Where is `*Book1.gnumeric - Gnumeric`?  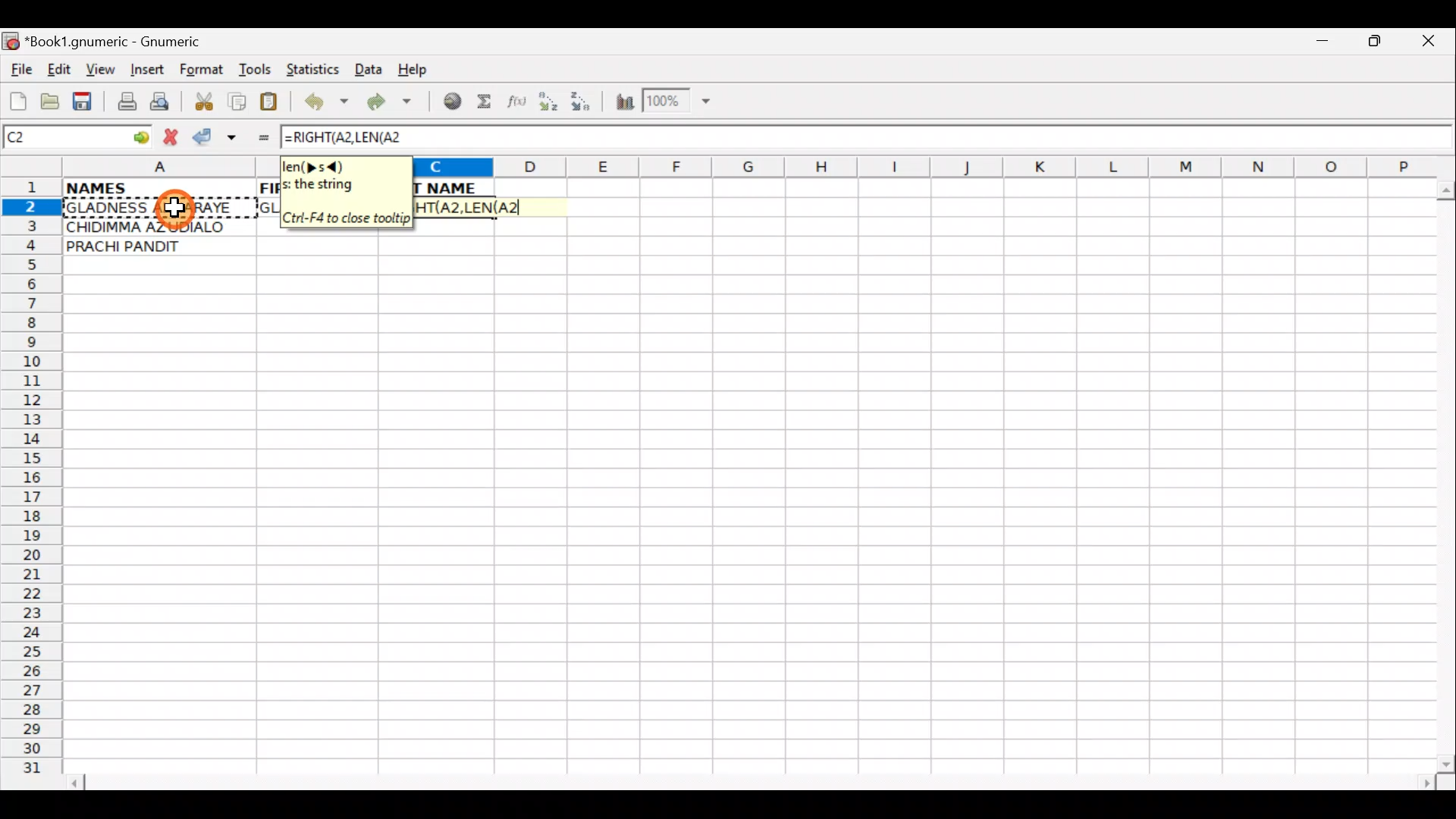
*Book1.gnumeric - Gnumeric is located at coordinates (127, 42).